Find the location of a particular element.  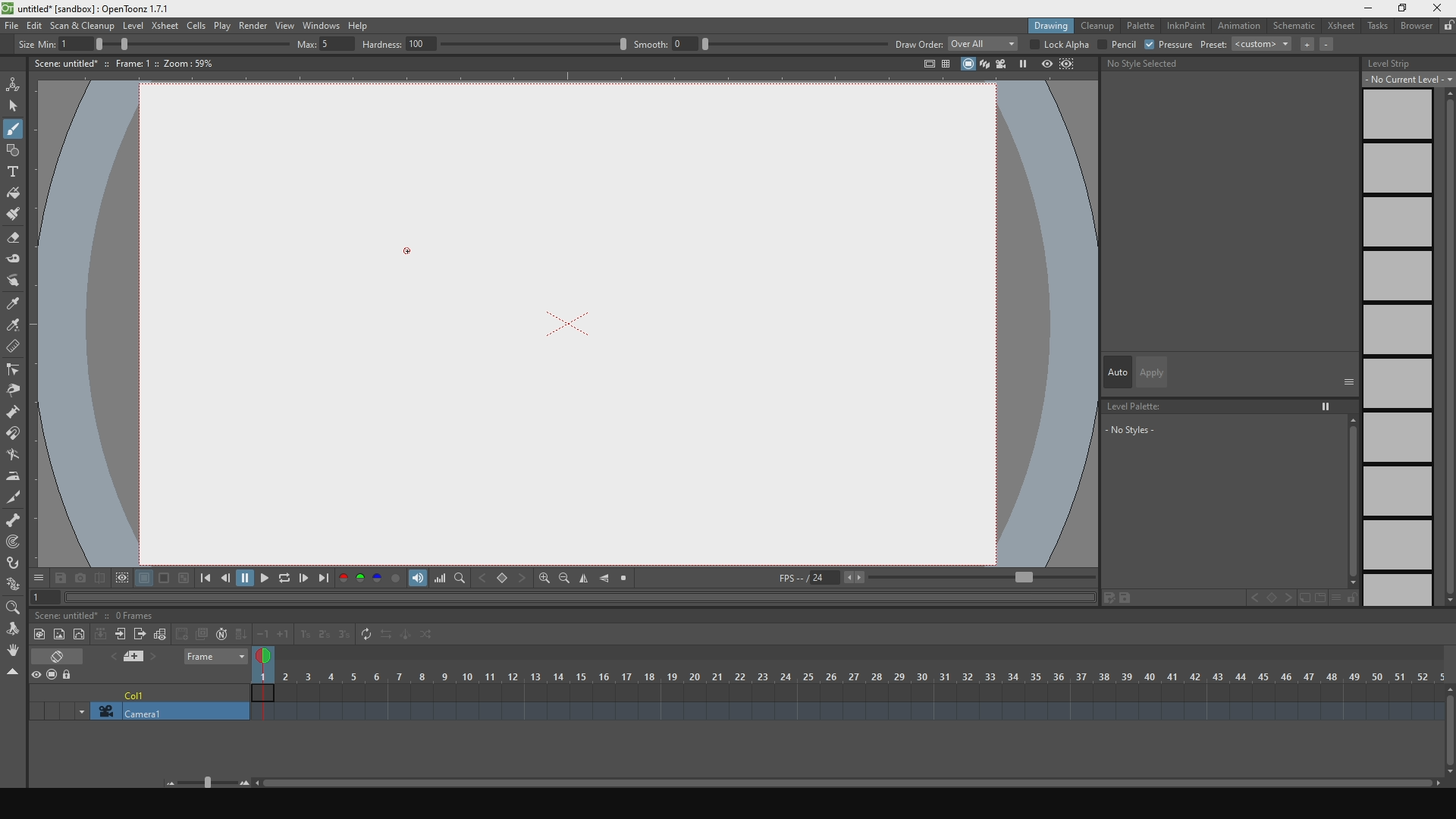

inflate is located at coordinates (13, 411).